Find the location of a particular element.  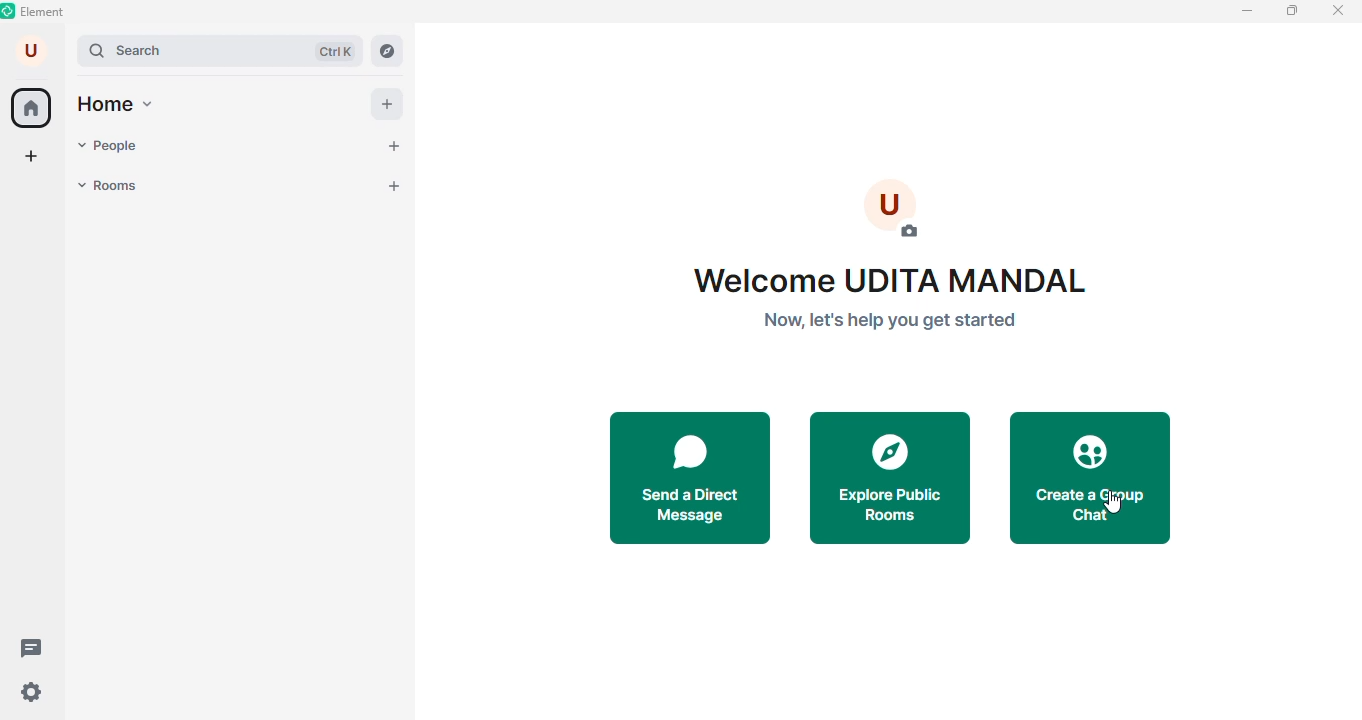

add account photo is located at coordinates (890, 210).